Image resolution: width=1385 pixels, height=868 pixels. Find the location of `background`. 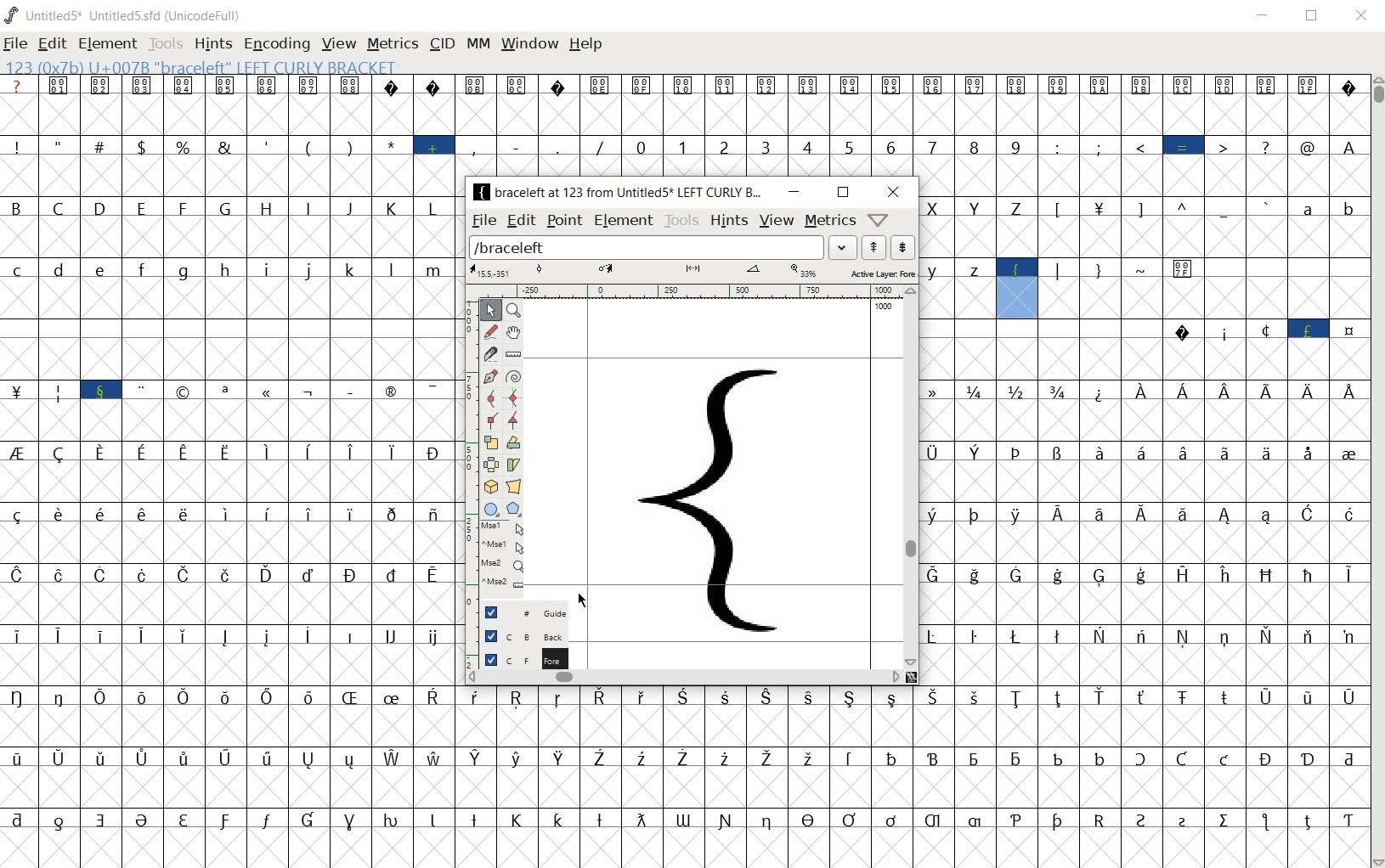

background is located at coordinates (516, 635).